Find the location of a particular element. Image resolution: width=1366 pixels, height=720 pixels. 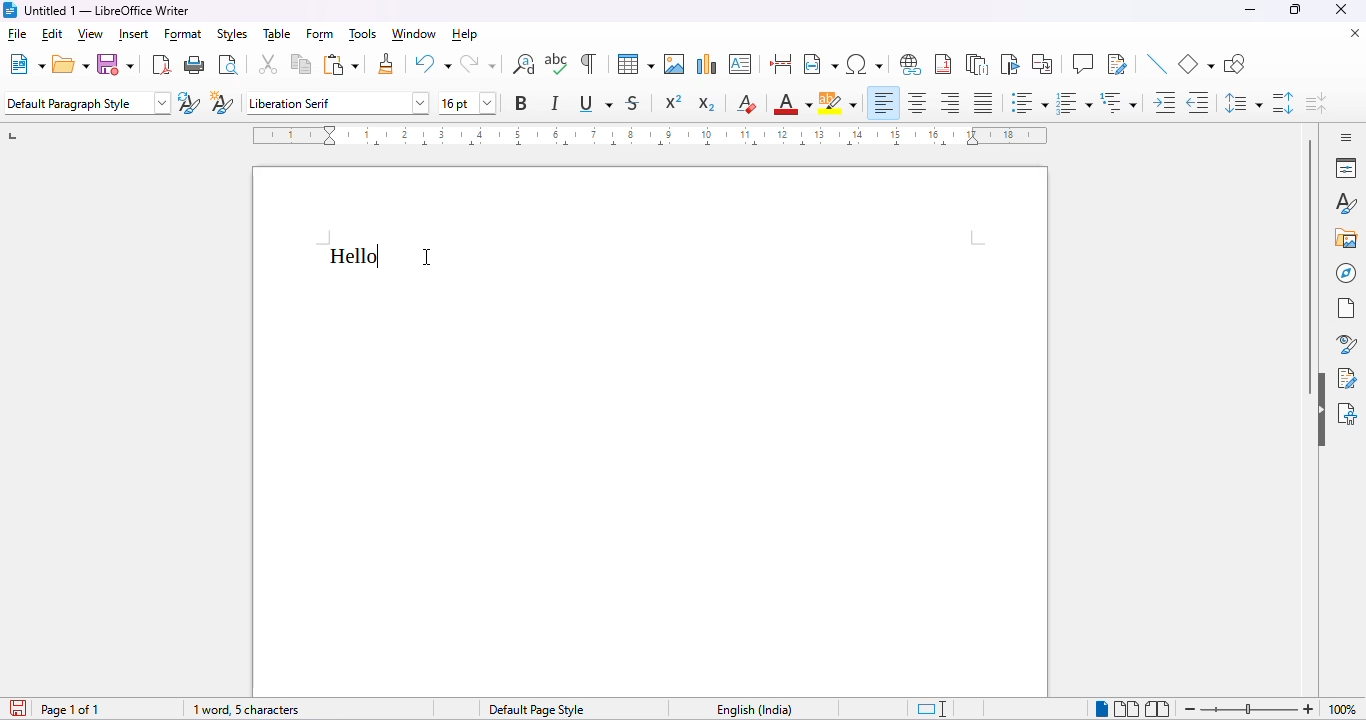

insert endnote is located at coordinates (978, 66).